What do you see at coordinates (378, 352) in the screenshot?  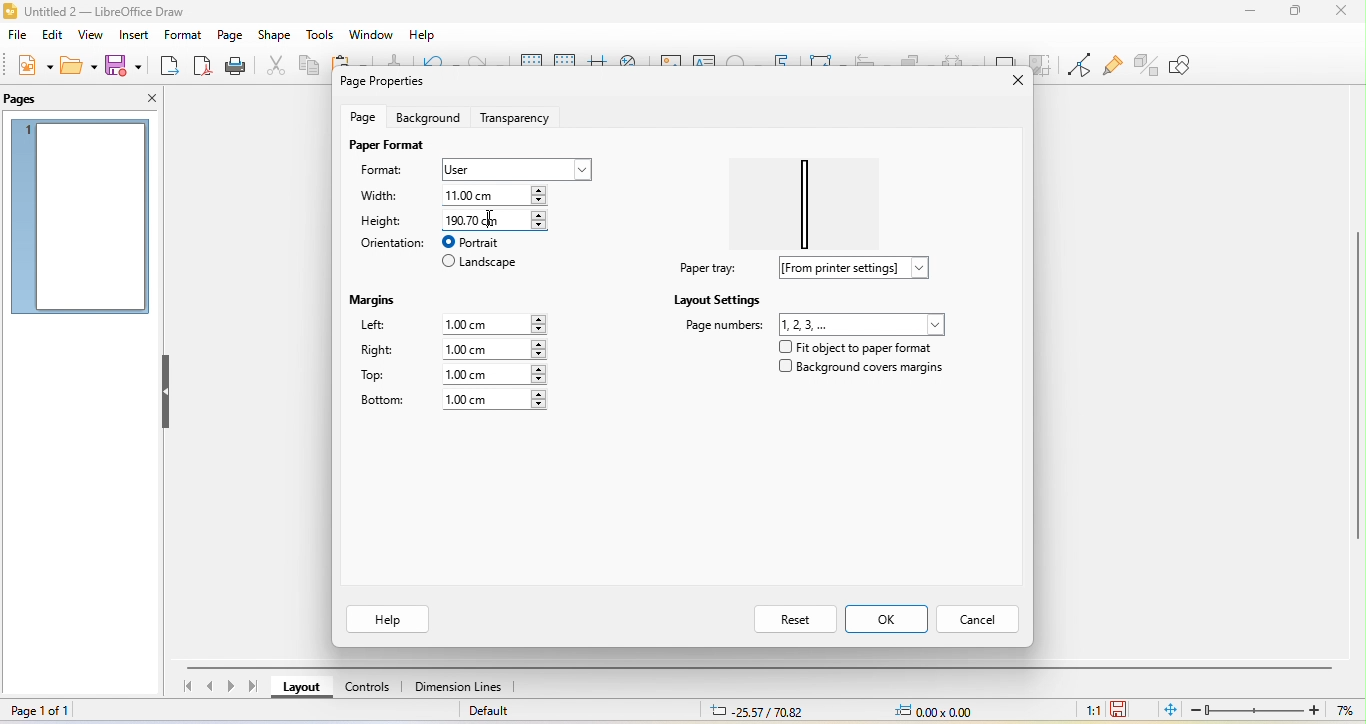 I see `right` at bounding box center [378, 352].